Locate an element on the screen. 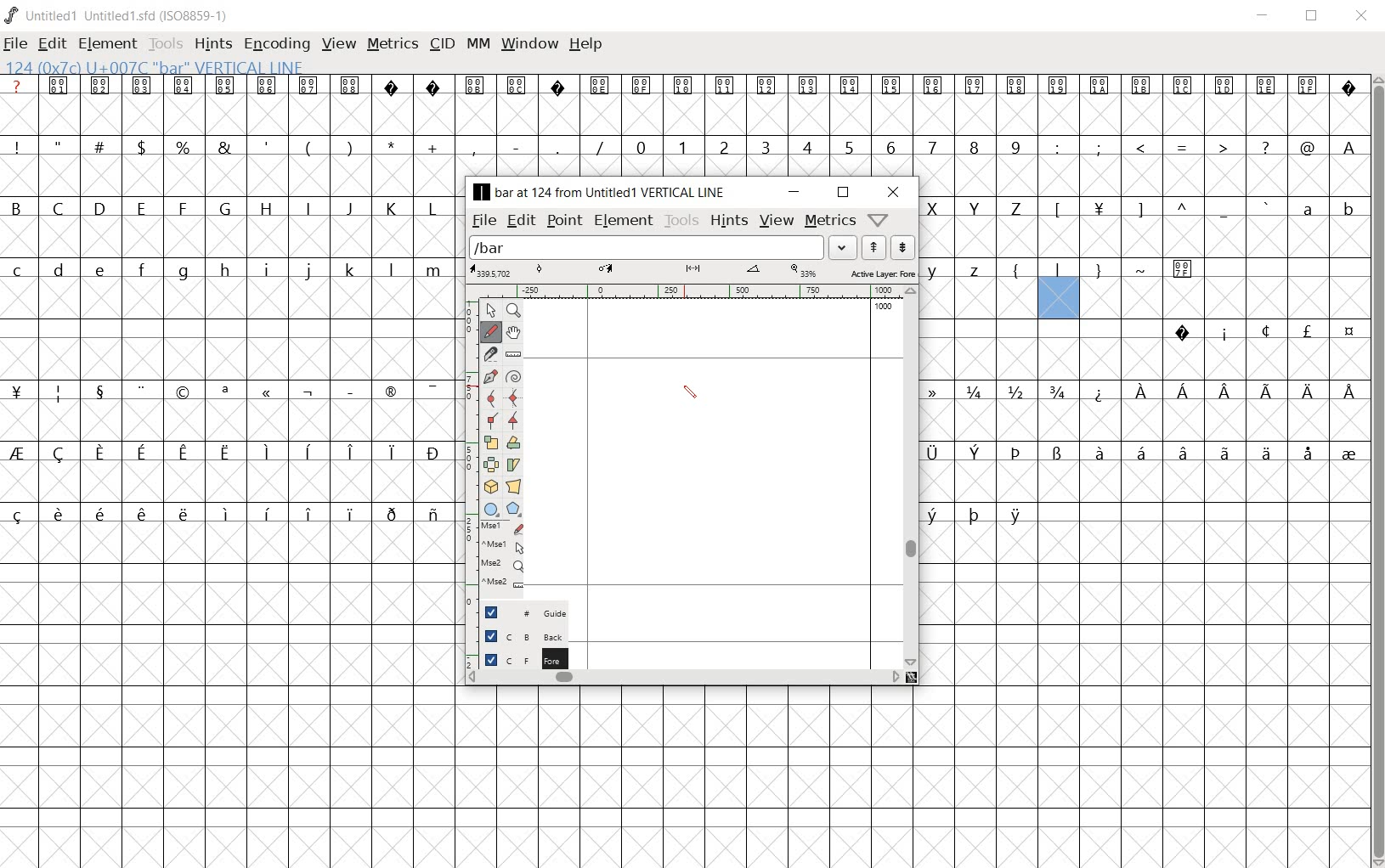  scrollbar is located at coordinates (684, 676).